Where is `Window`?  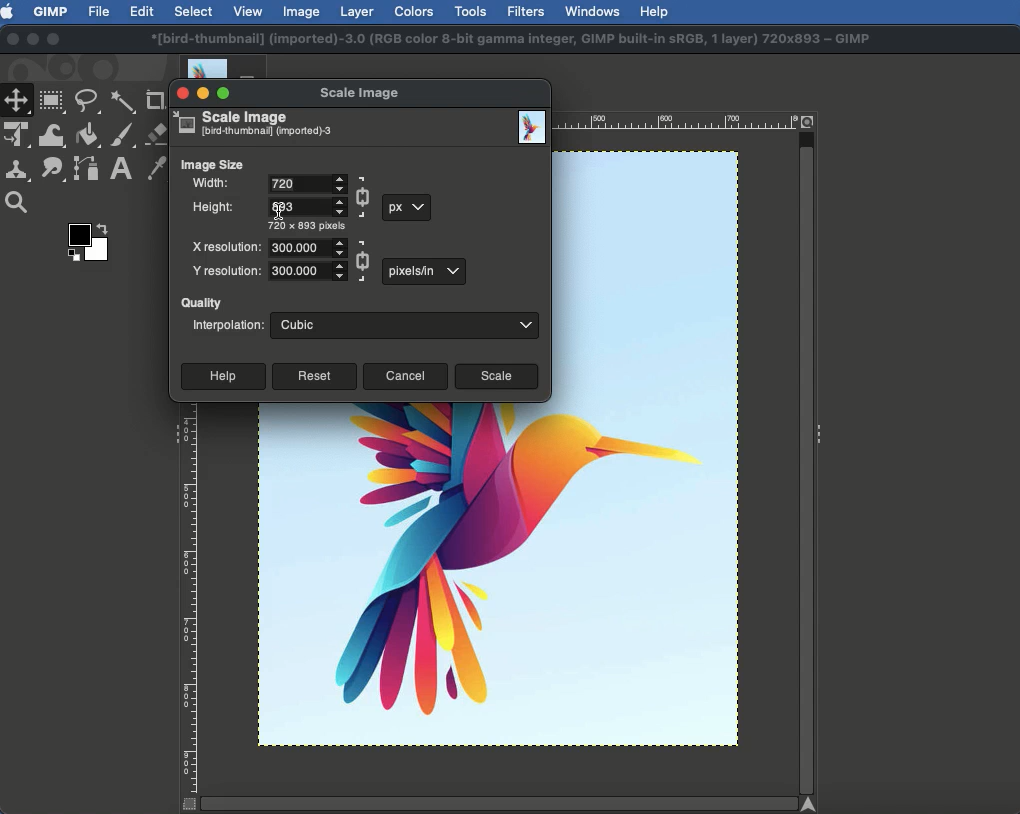 Window is located at coordinates (595, 10).